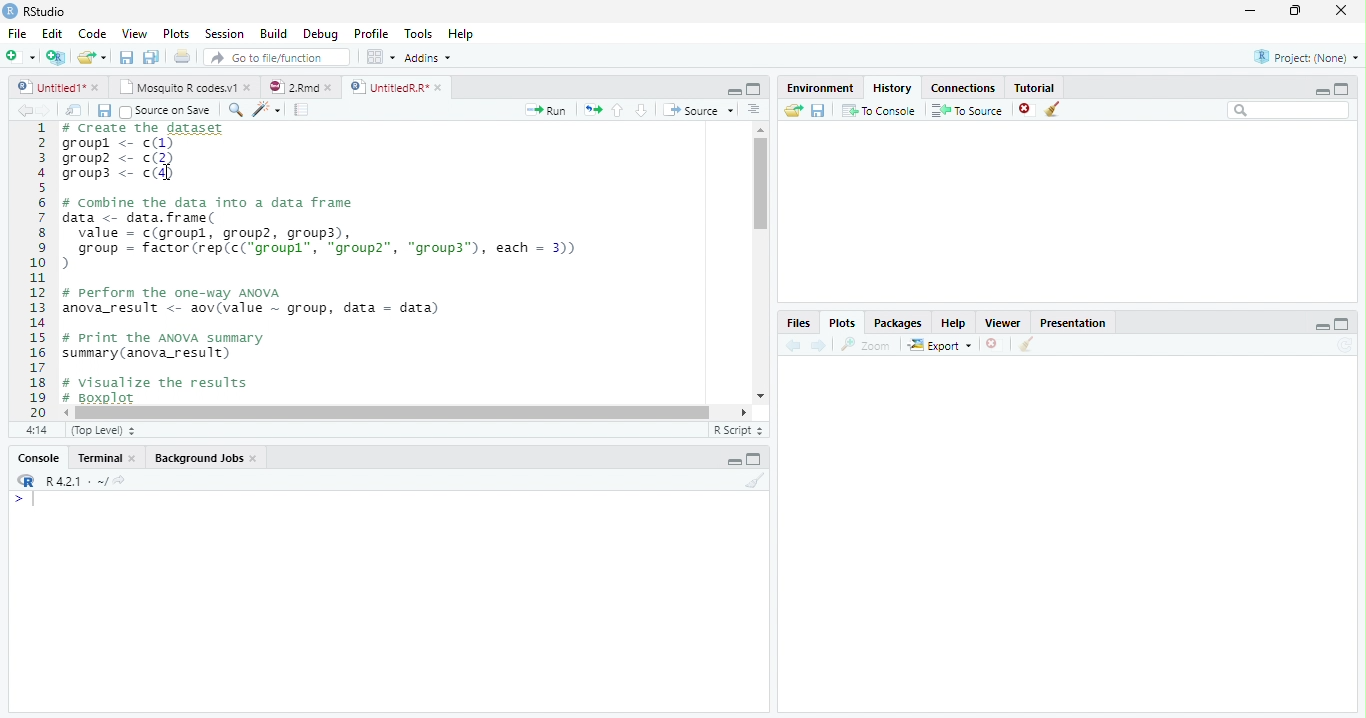 The image size is (1366, 718). What do you see at coordinates (396, 87) in the screenshot?
I see `Untitled R*` at bounding box center [396, 87].